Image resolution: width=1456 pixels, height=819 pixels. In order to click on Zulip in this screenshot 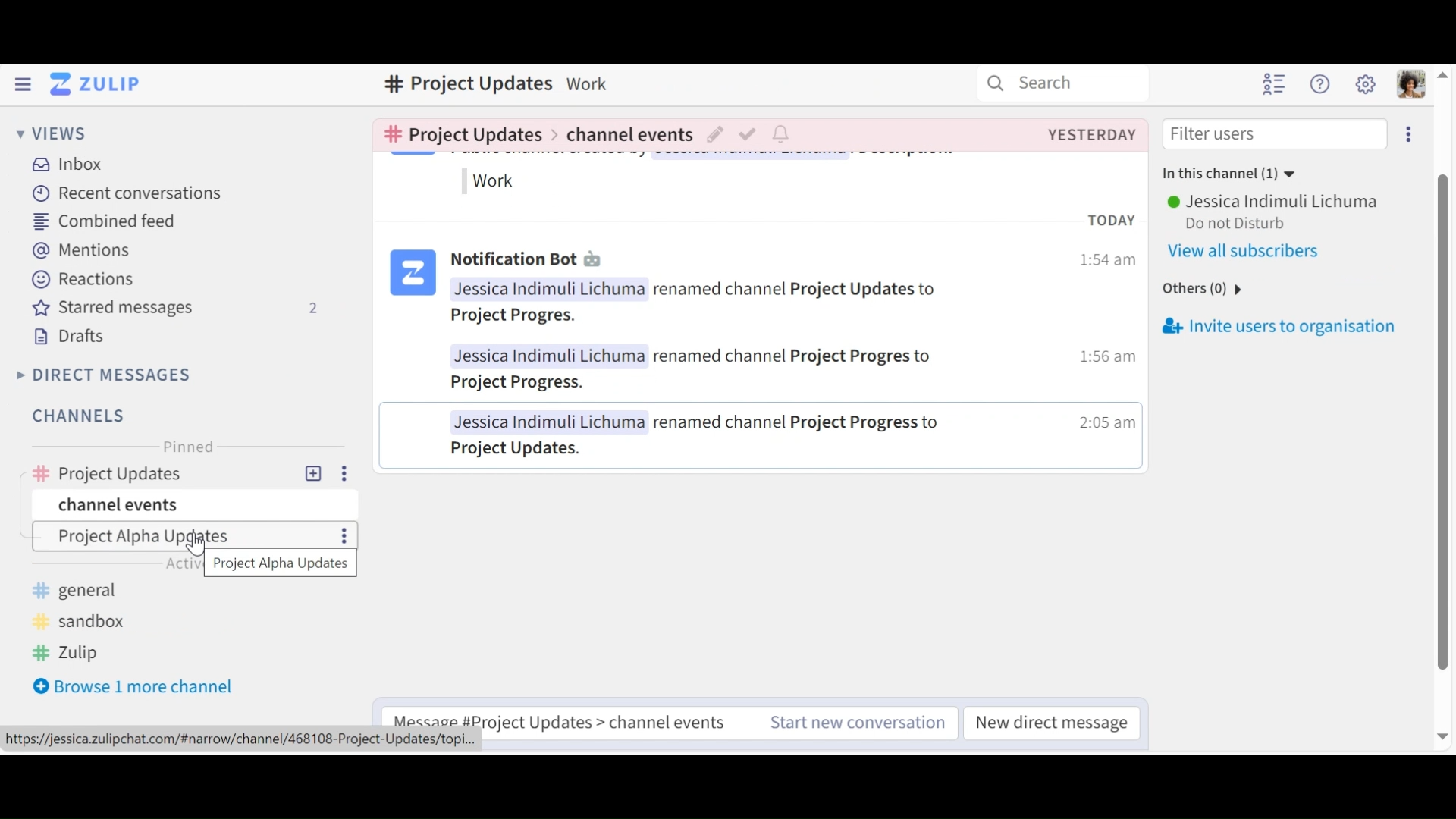, I will do `click(71, 651)`.